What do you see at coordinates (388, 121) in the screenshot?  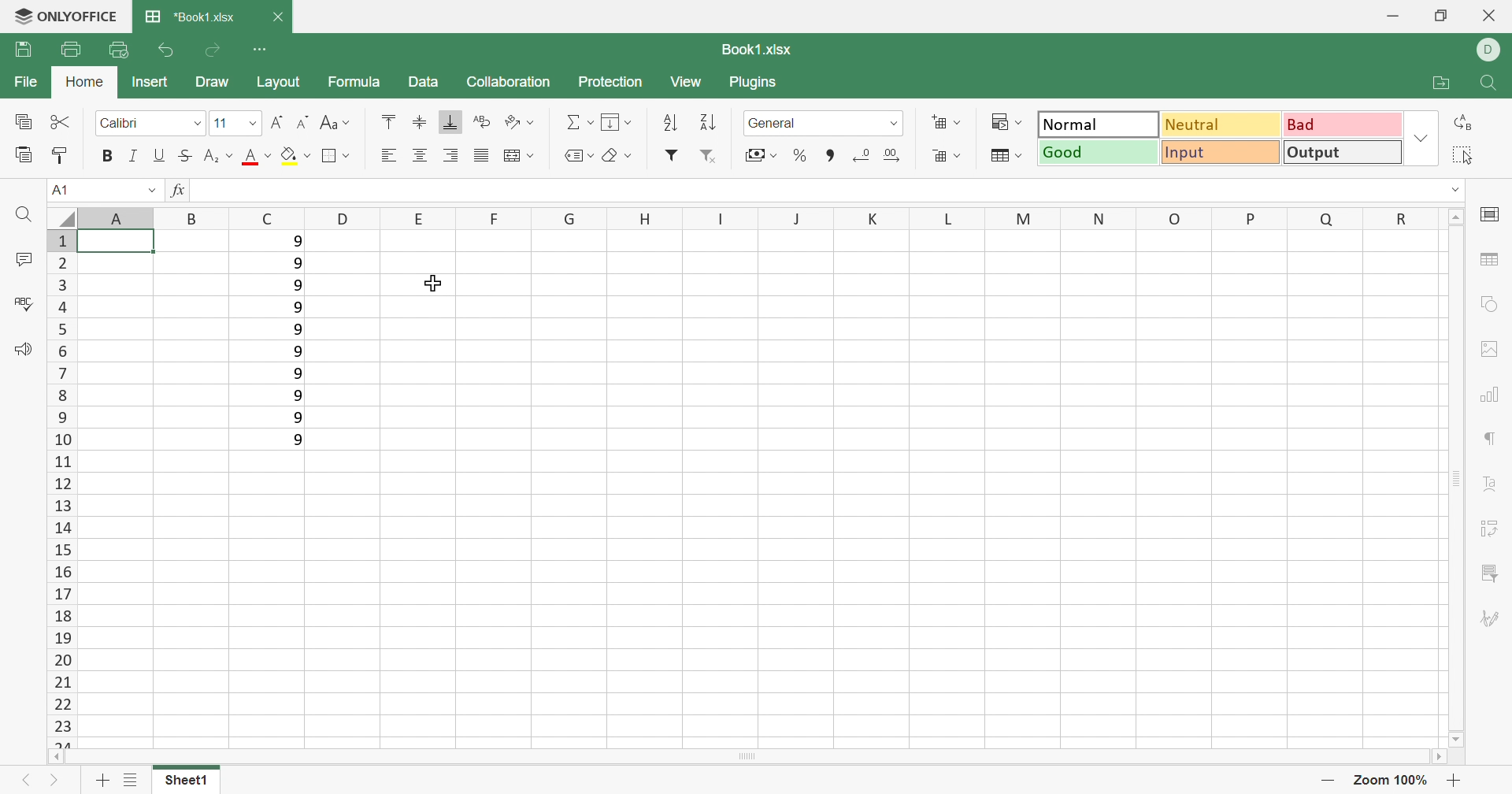 I see `Align Top` at bounding box center [388, 121].